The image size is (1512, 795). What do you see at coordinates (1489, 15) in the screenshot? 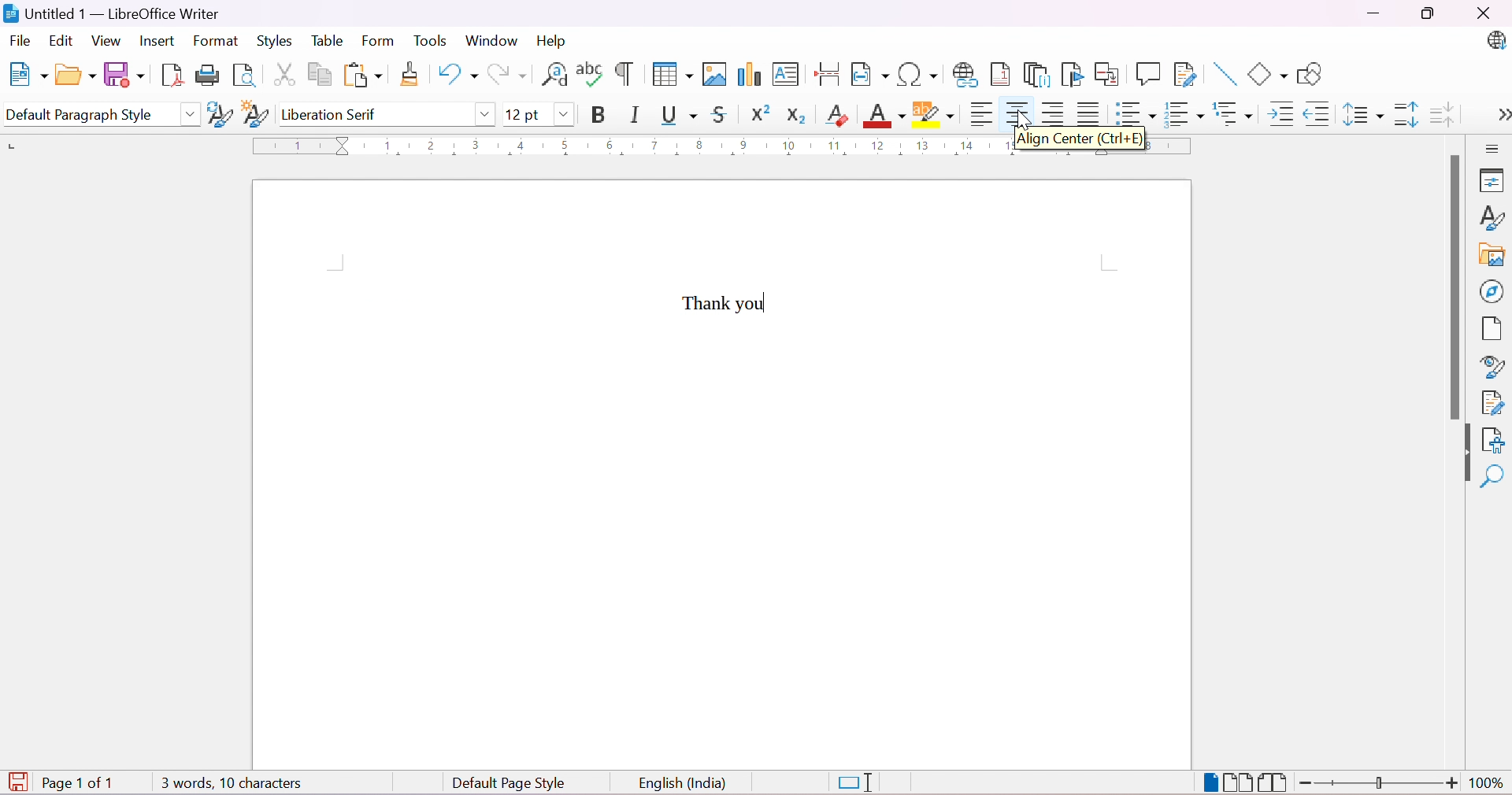
I see `Close` at bounding box center [1489, 15].